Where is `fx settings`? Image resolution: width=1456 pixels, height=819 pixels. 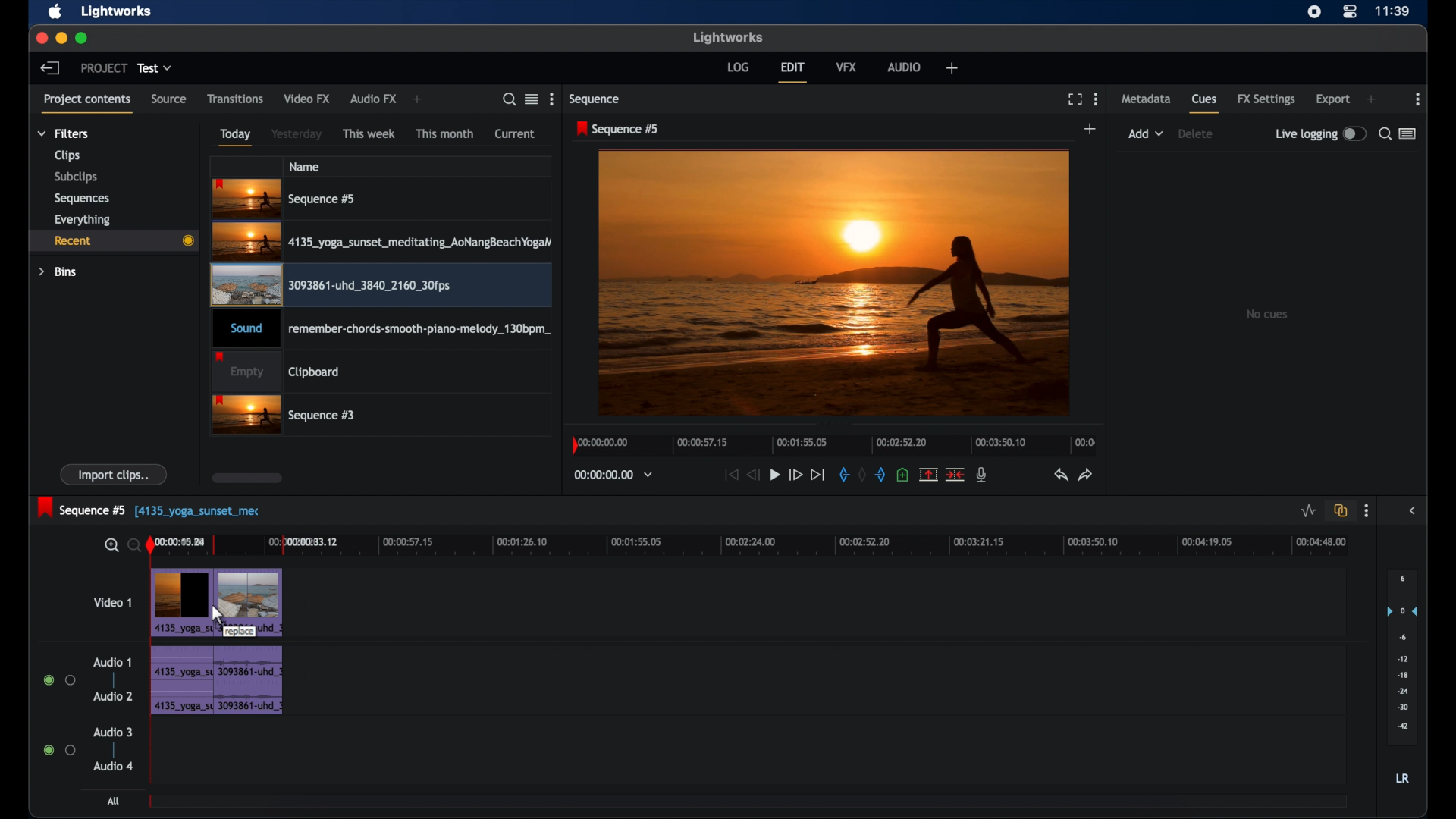 fx settings is located at coordinates (1268, 99).